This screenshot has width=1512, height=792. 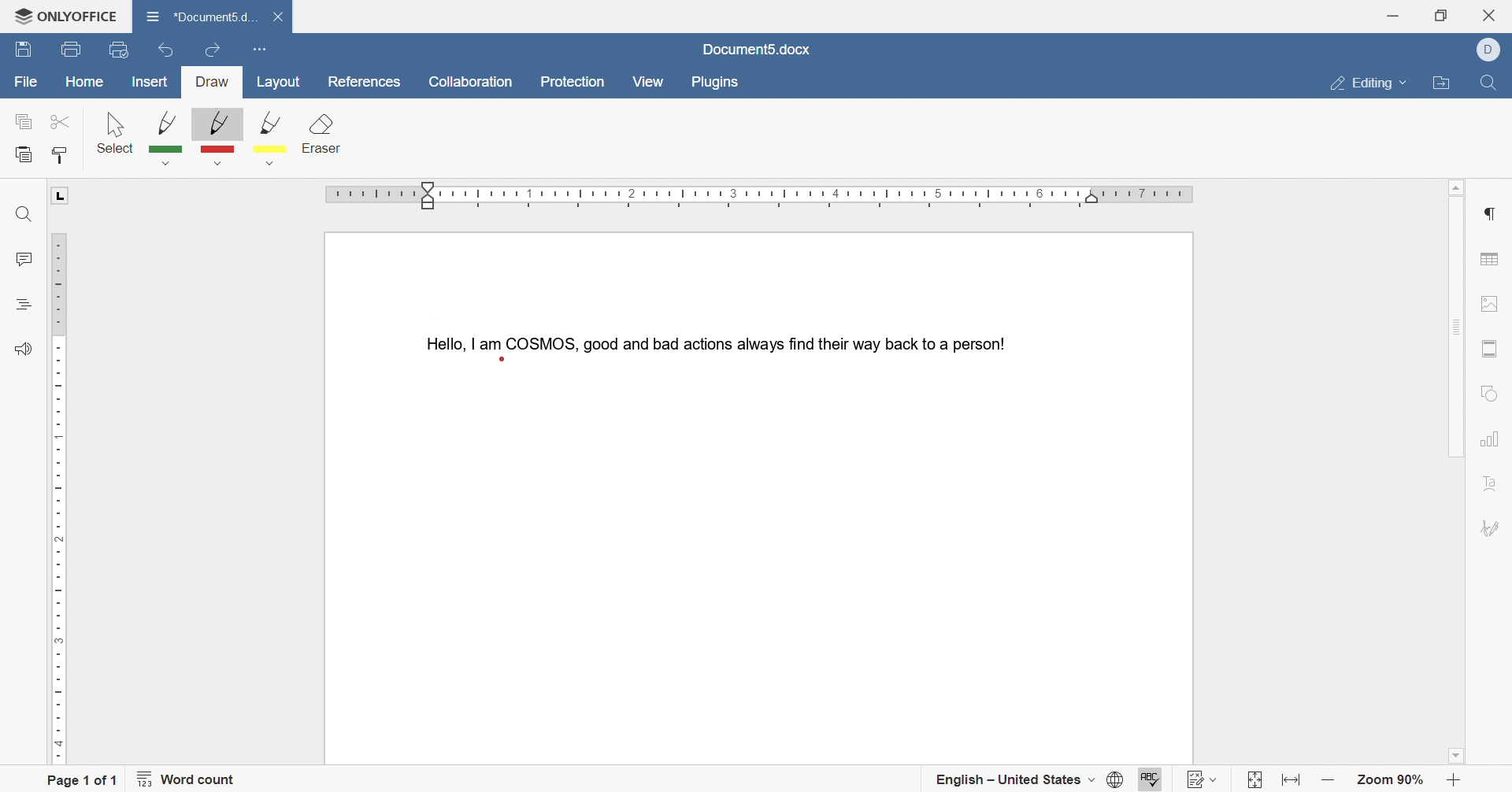 I want to click on ruler, so click(x=57, y=495).